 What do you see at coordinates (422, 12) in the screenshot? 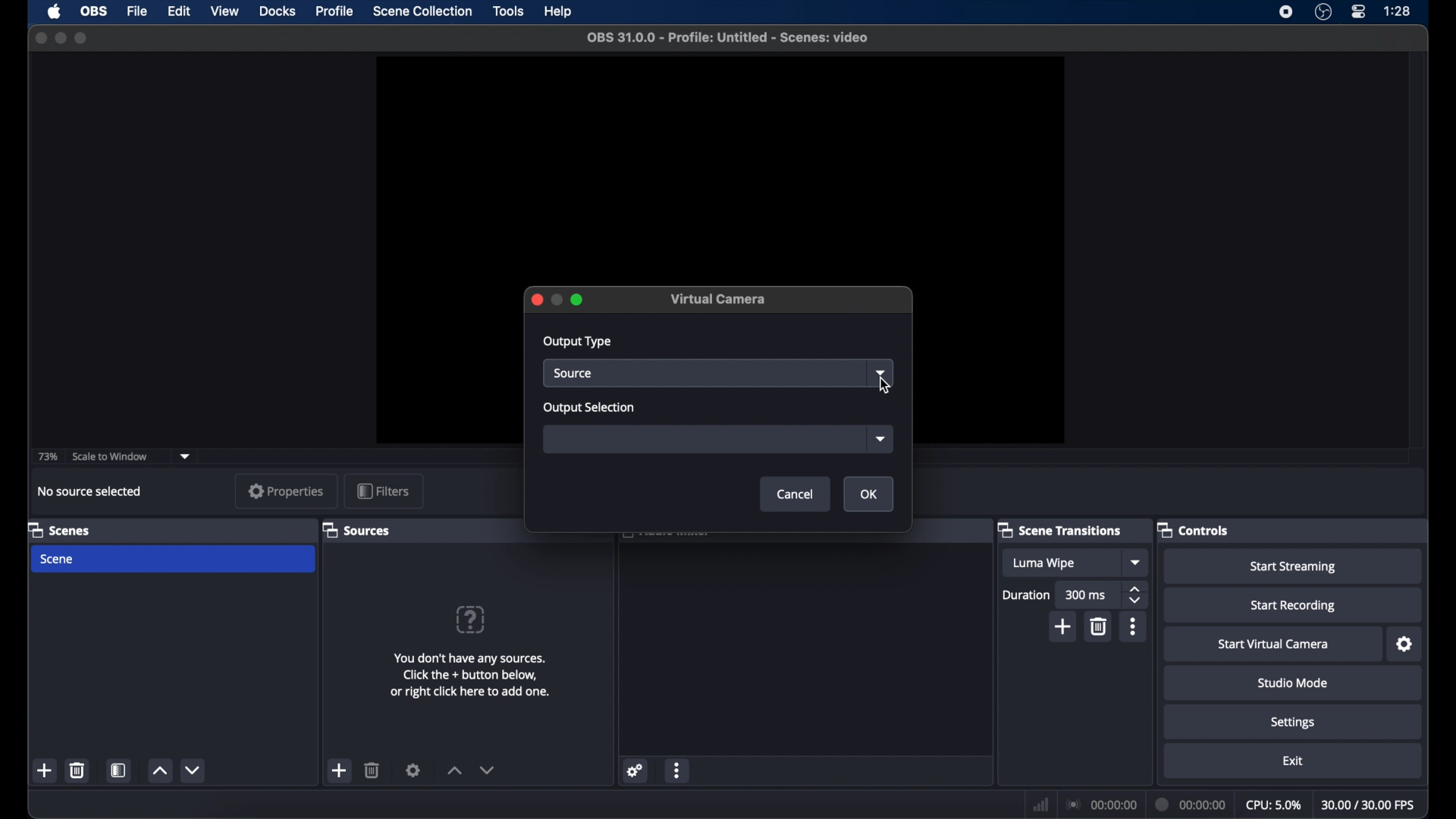
I see `scene collection` at bounding box center [422, 12].